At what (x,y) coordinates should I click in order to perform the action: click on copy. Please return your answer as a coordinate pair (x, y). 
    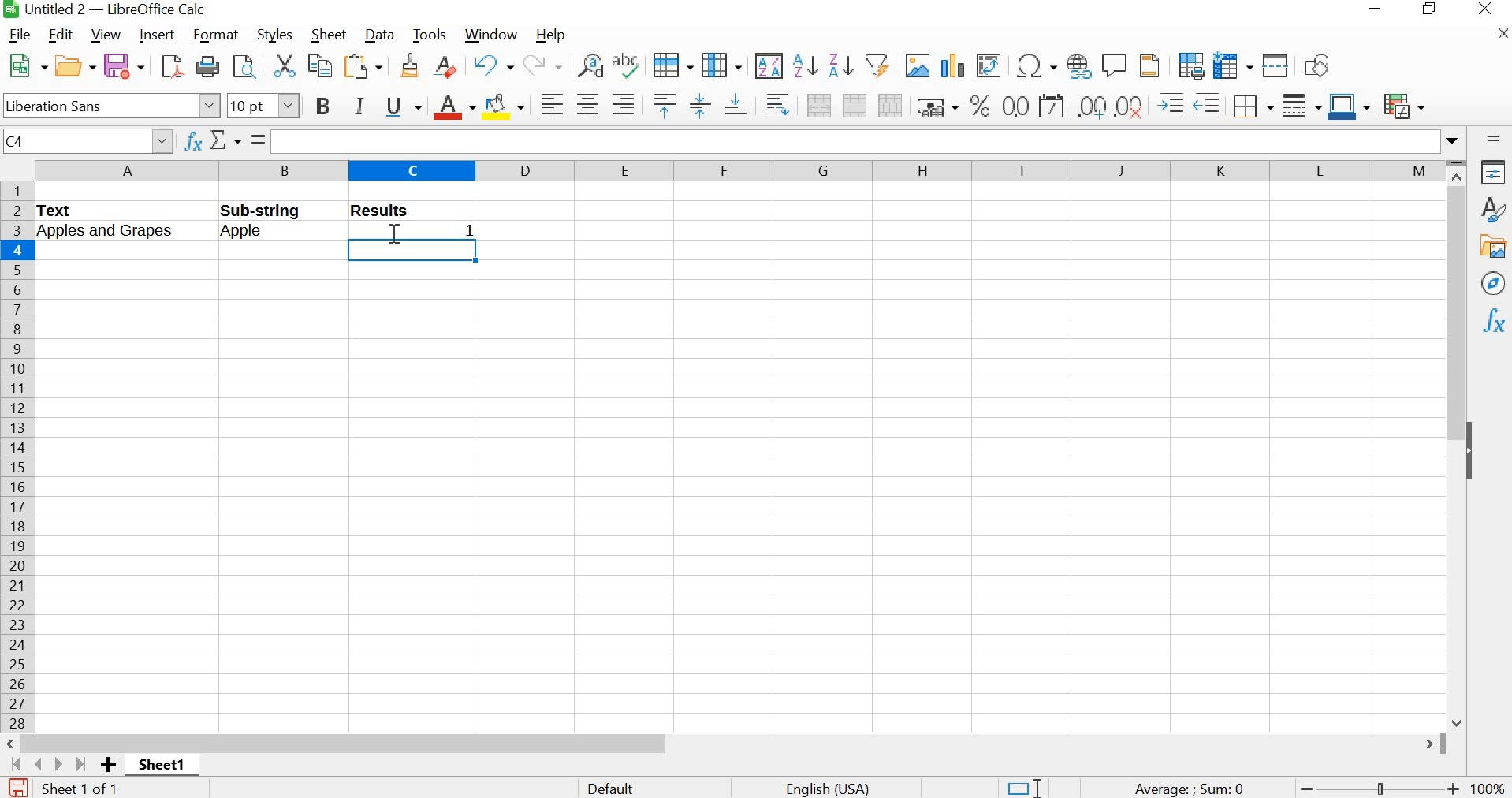
    Looking at the image, I should click on (318, 65).